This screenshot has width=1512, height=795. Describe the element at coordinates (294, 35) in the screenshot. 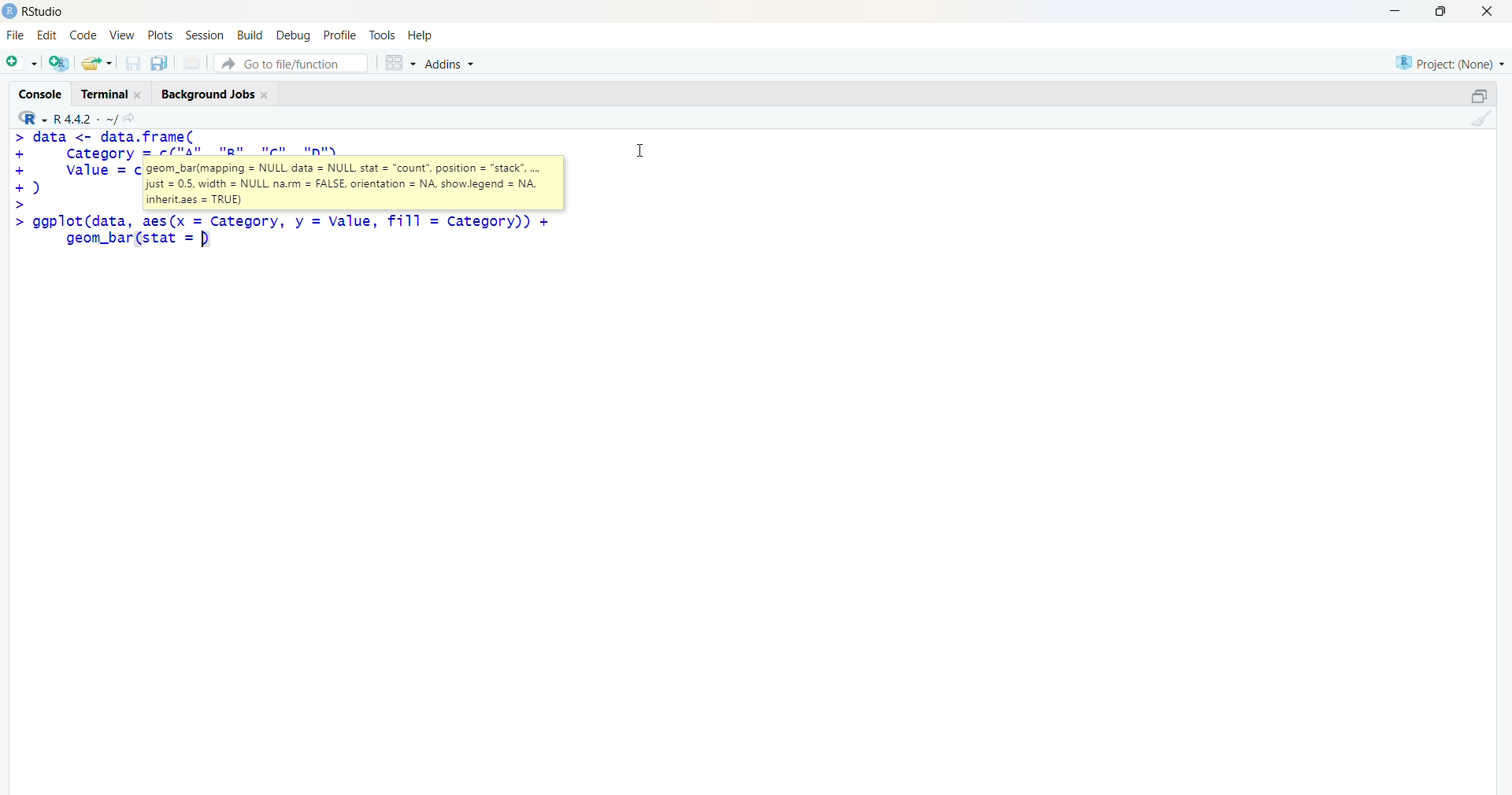

I see `debug` at that location.